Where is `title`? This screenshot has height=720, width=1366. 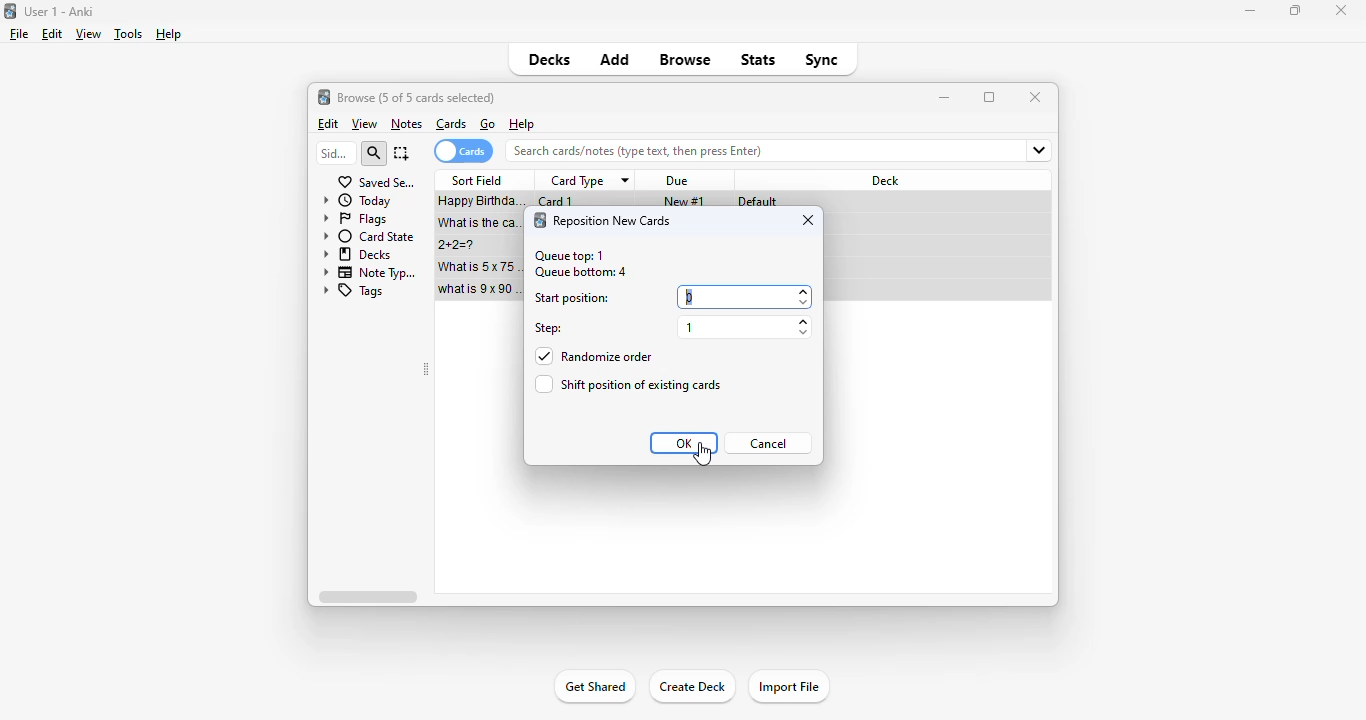 title is located at coordinates (58, 12).